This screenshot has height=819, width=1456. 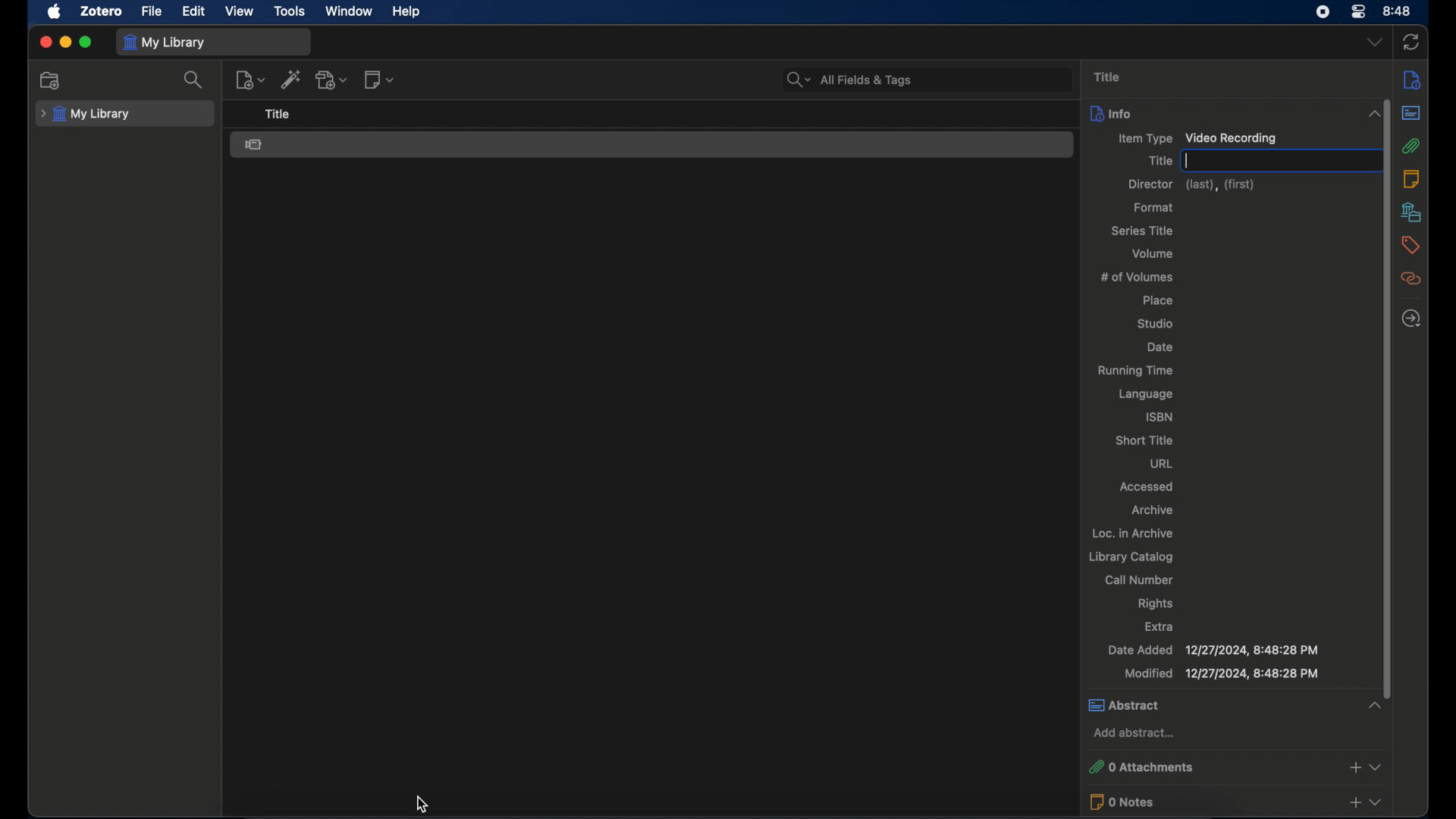 I want to click on my library, so click(x=164, y=43).